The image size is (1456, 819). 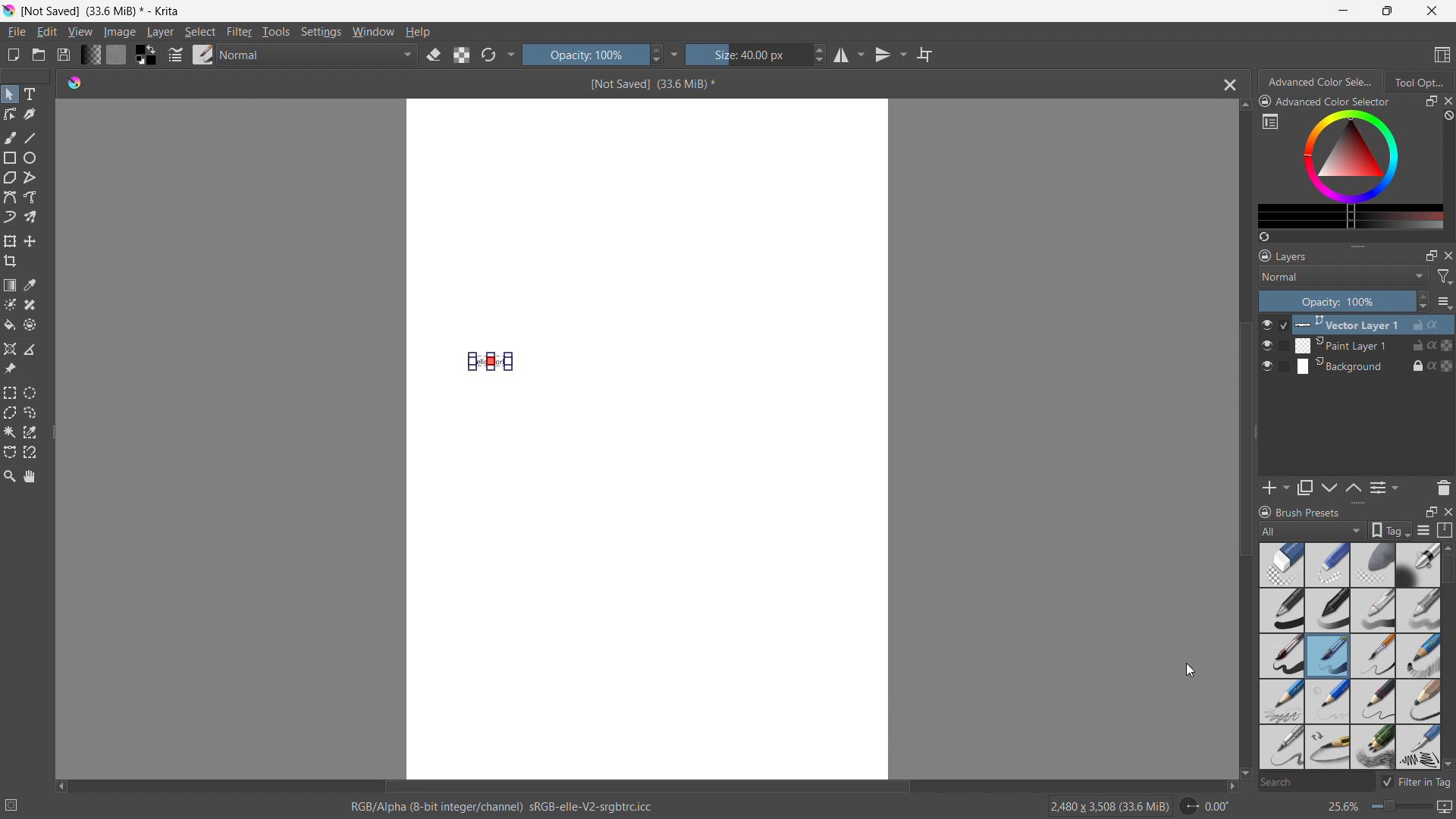 I want to click on layer, so click(x=160, y=32).